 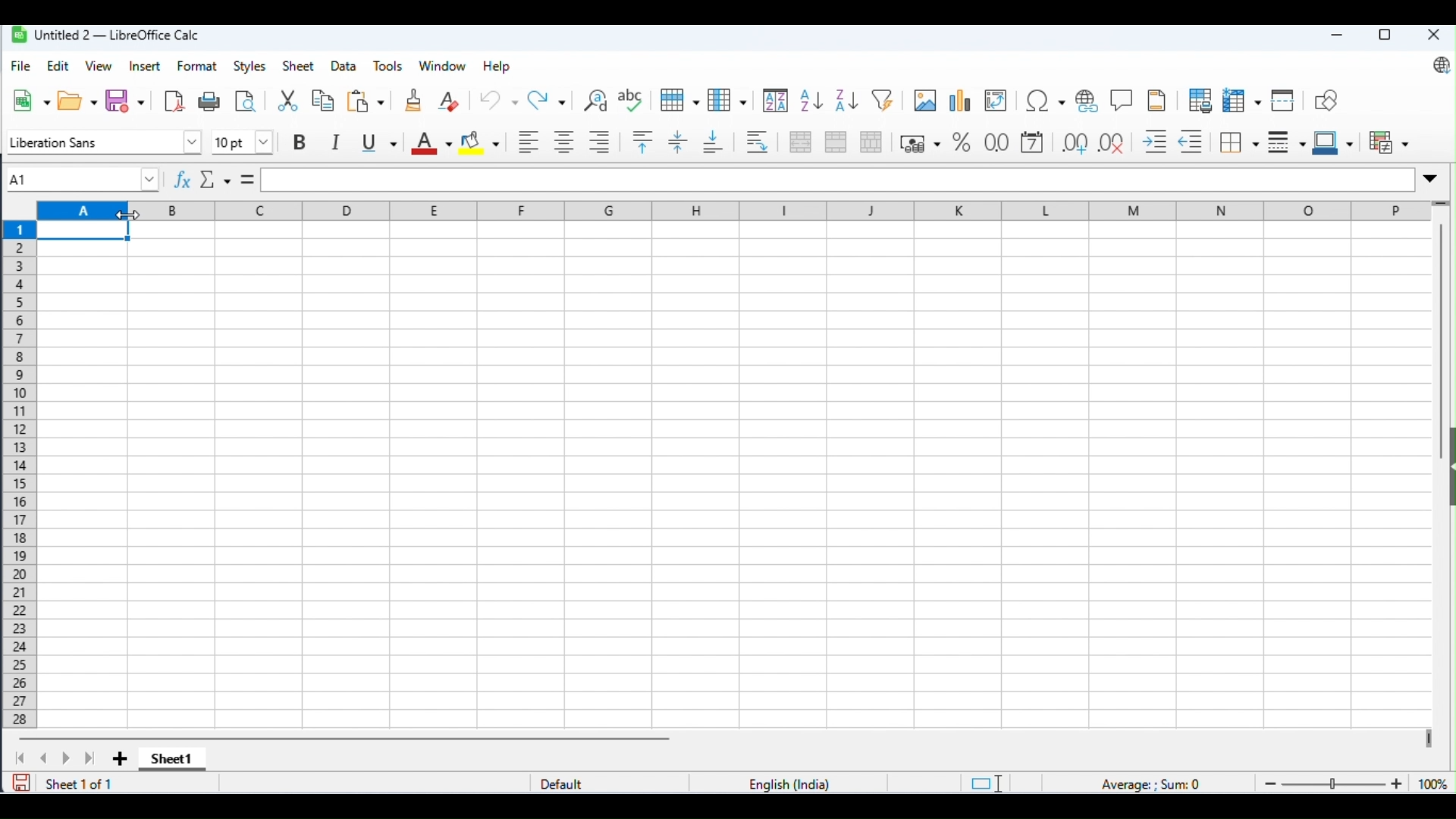 I want to click on selected cell number, so click(x=79, y=177).